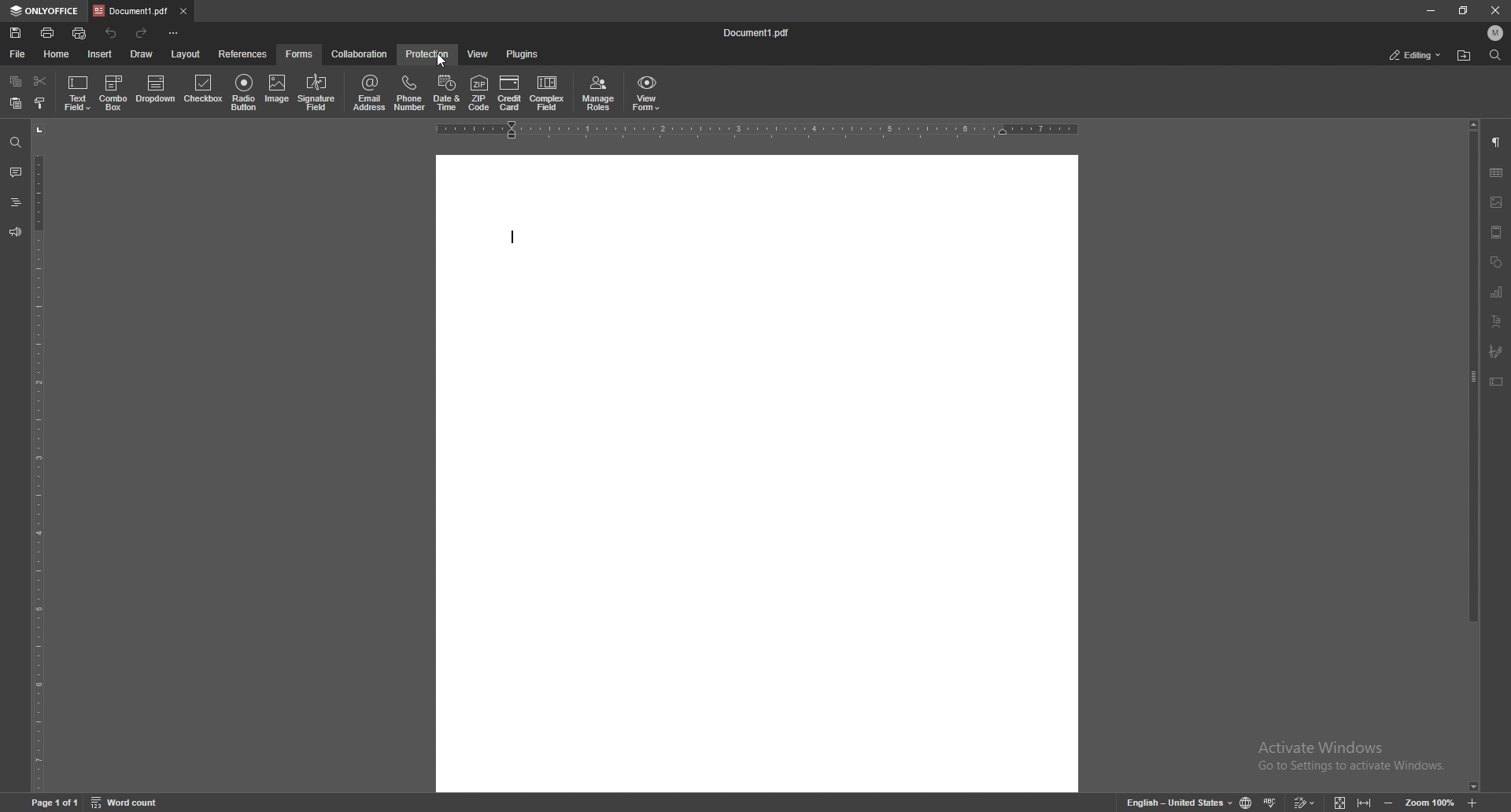 This screenshot has width=1511, height=812. Describe the element at coordinates (509, 93) in the screenshot. I see `credit card` at that location.